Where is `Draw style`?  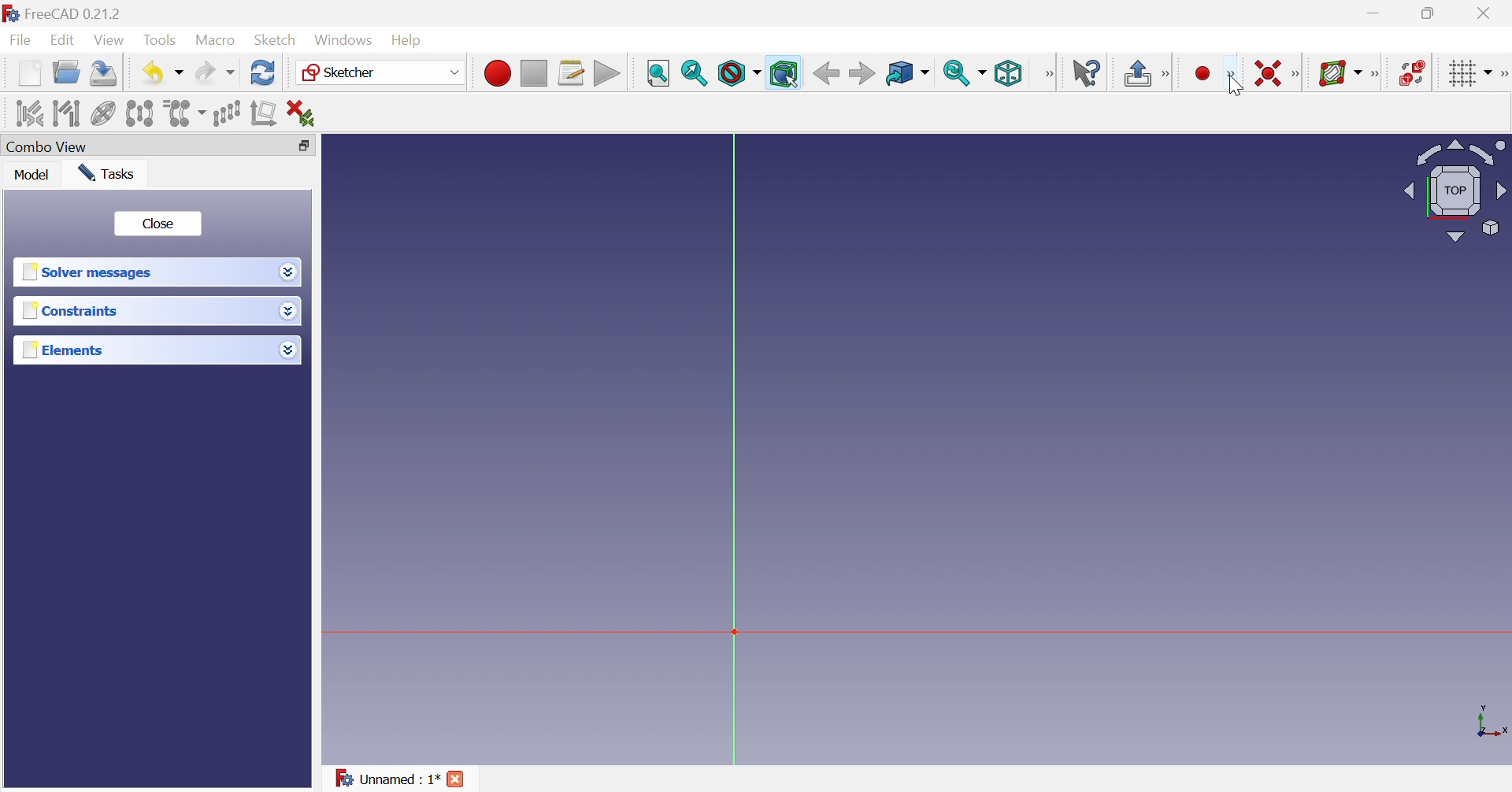
Draw style is located at coordinates (739, 72).